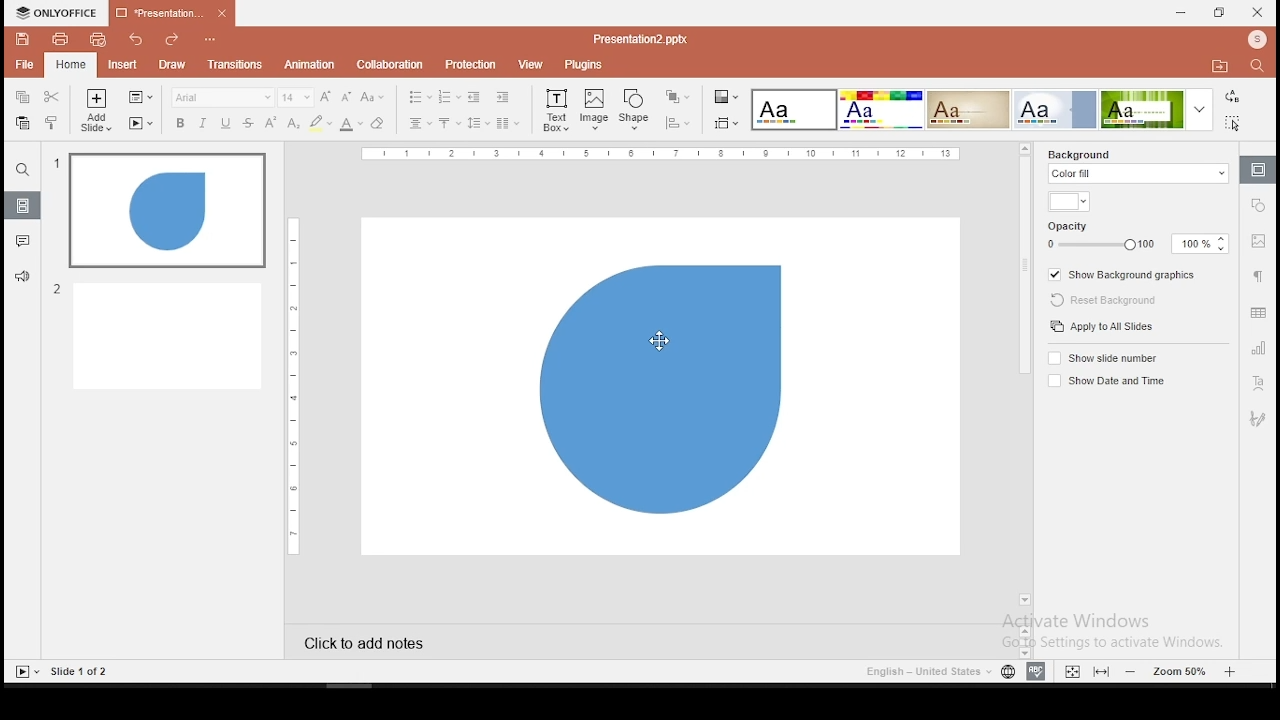  What do you see at coordinates (82, 672) in the screenshot?
I see `slide 1 of 2` at bounding box center [82, 672].